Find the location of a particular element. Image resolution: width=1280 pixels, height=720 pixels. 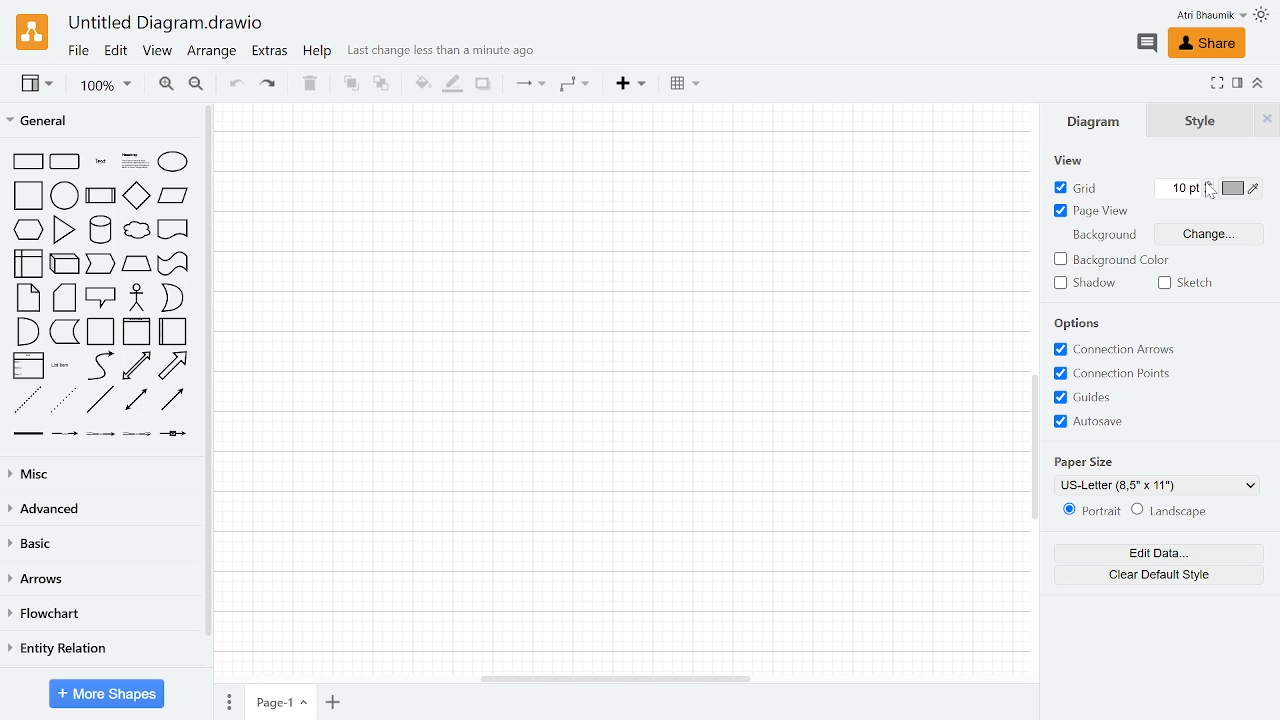

Background is located at coordinates (1107, 237).